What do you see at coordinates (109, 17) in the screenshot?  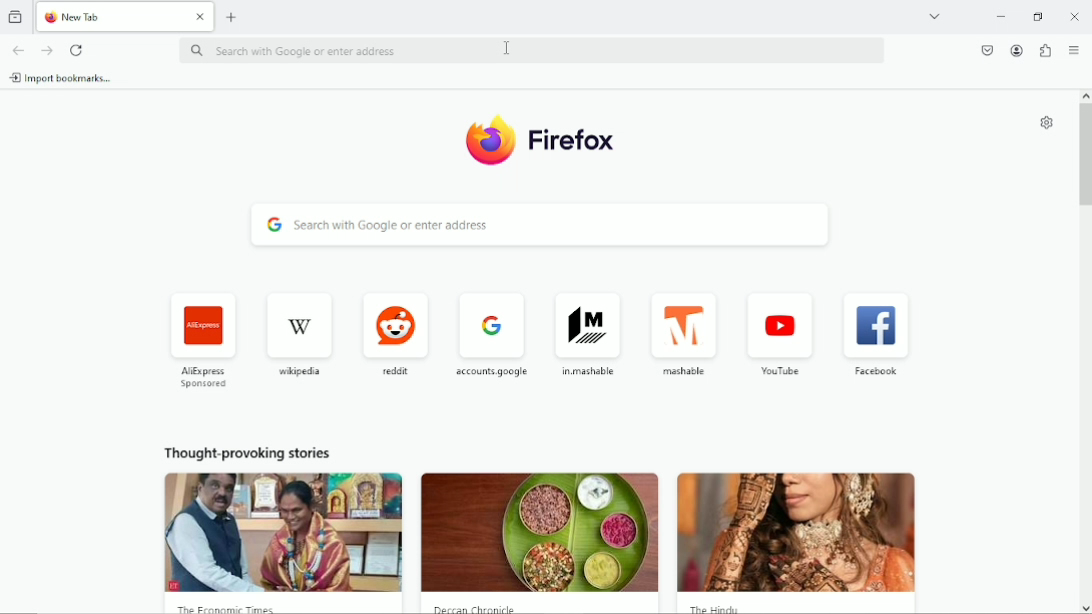 I see `new tab` at bounding box center [109, 17].